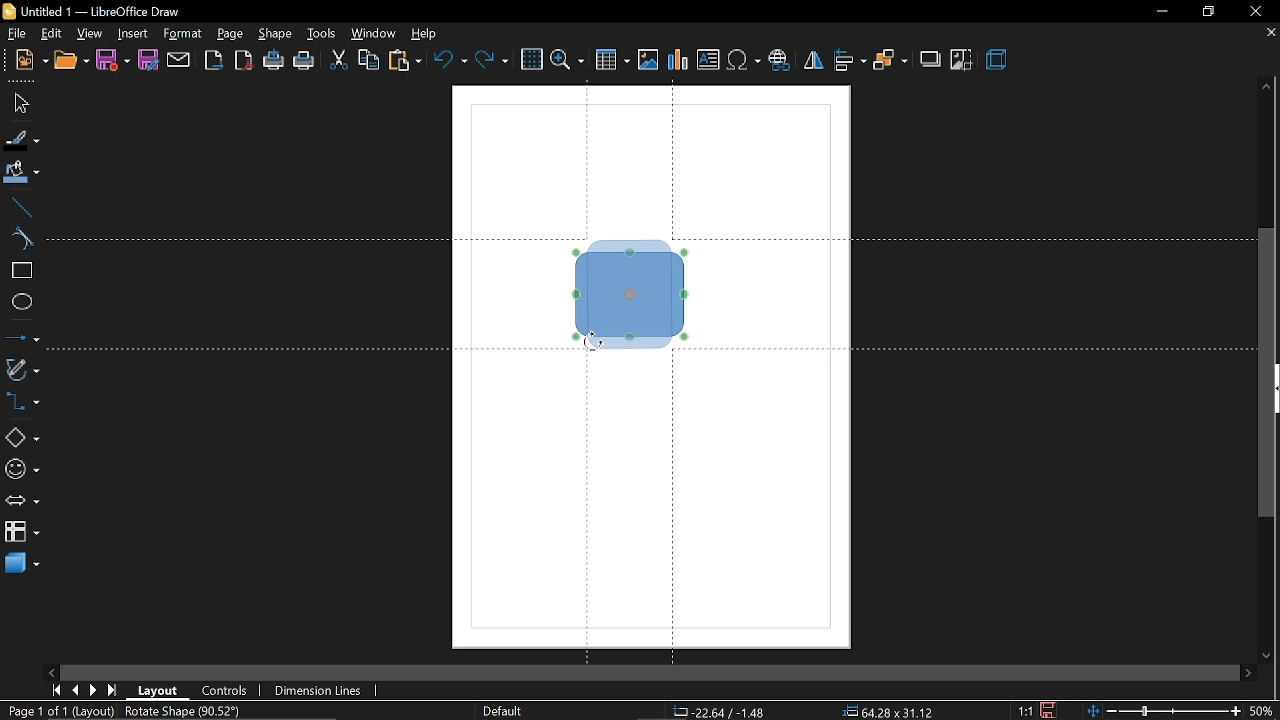 The width and height of the screenshot is (1280, 720). Describe the element at coordinates (1049, 710) in the screenshot. I see `save` at that location.